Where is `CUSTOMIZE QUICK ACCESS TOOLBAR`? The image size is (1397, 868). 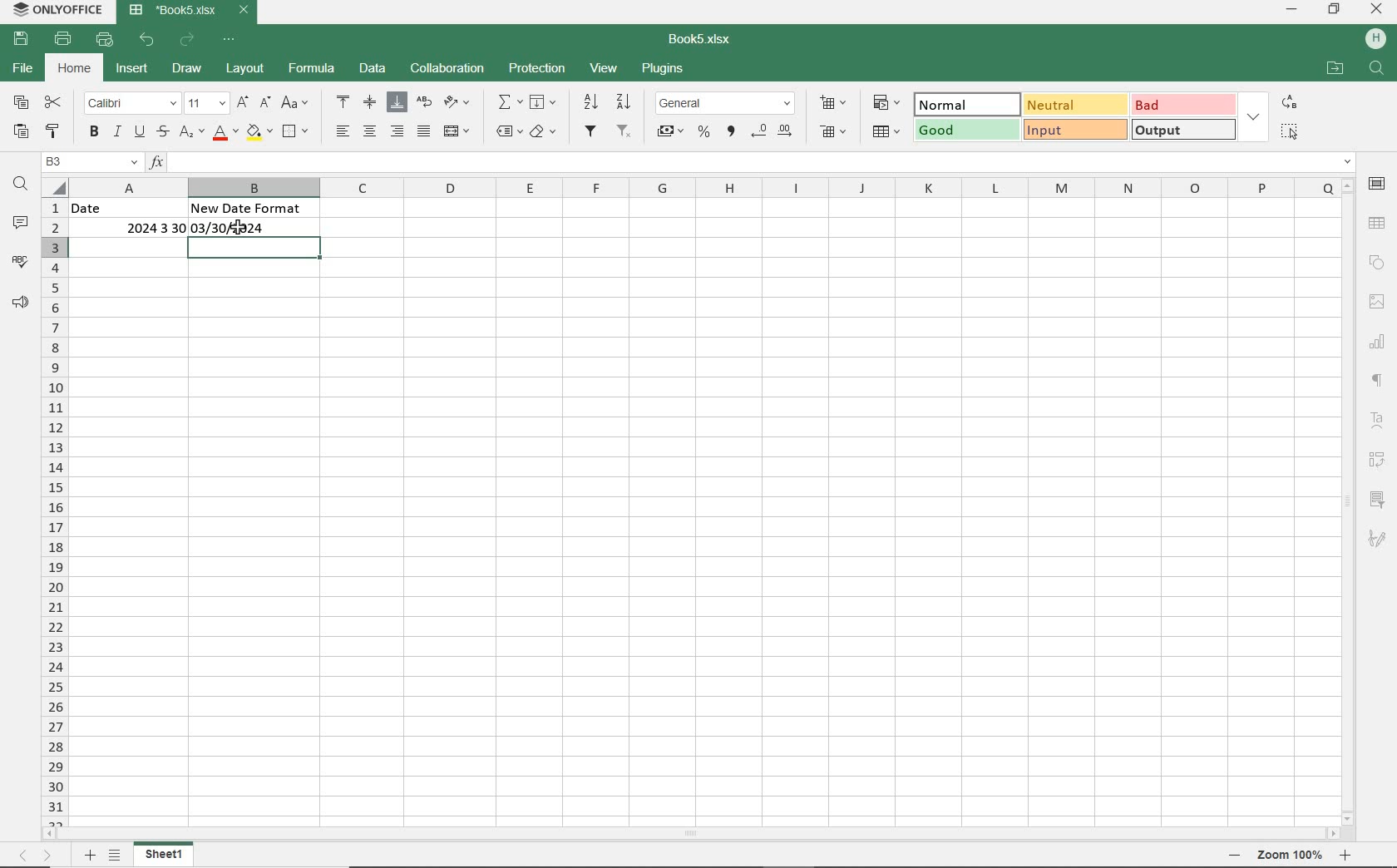 CUSTOMIZE QUICK ACCESS TOOLBAR is located at coordinates (230, 41).